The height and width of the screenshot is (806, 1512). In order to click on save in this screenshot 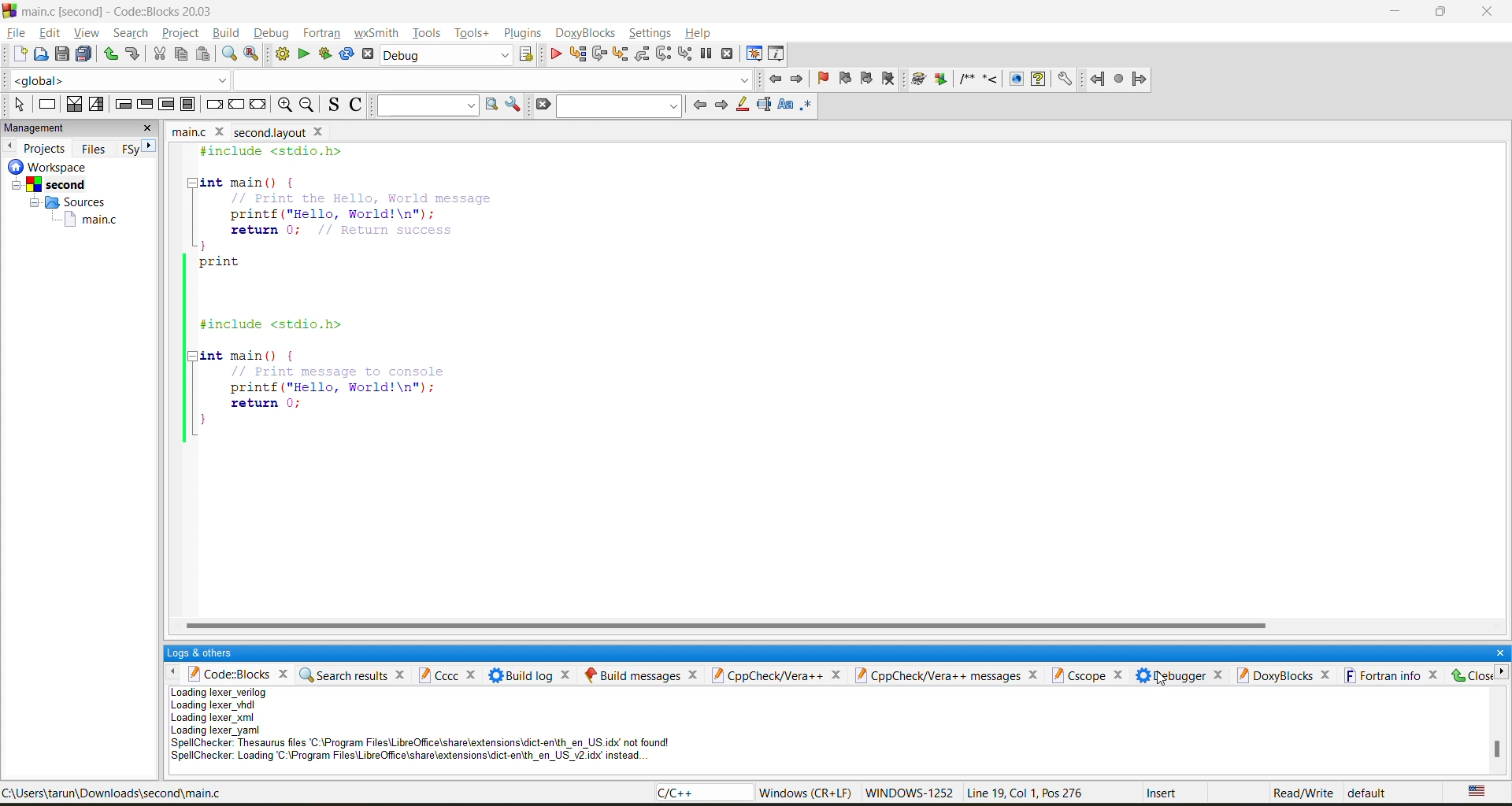, I will do `click(61, 55)`.